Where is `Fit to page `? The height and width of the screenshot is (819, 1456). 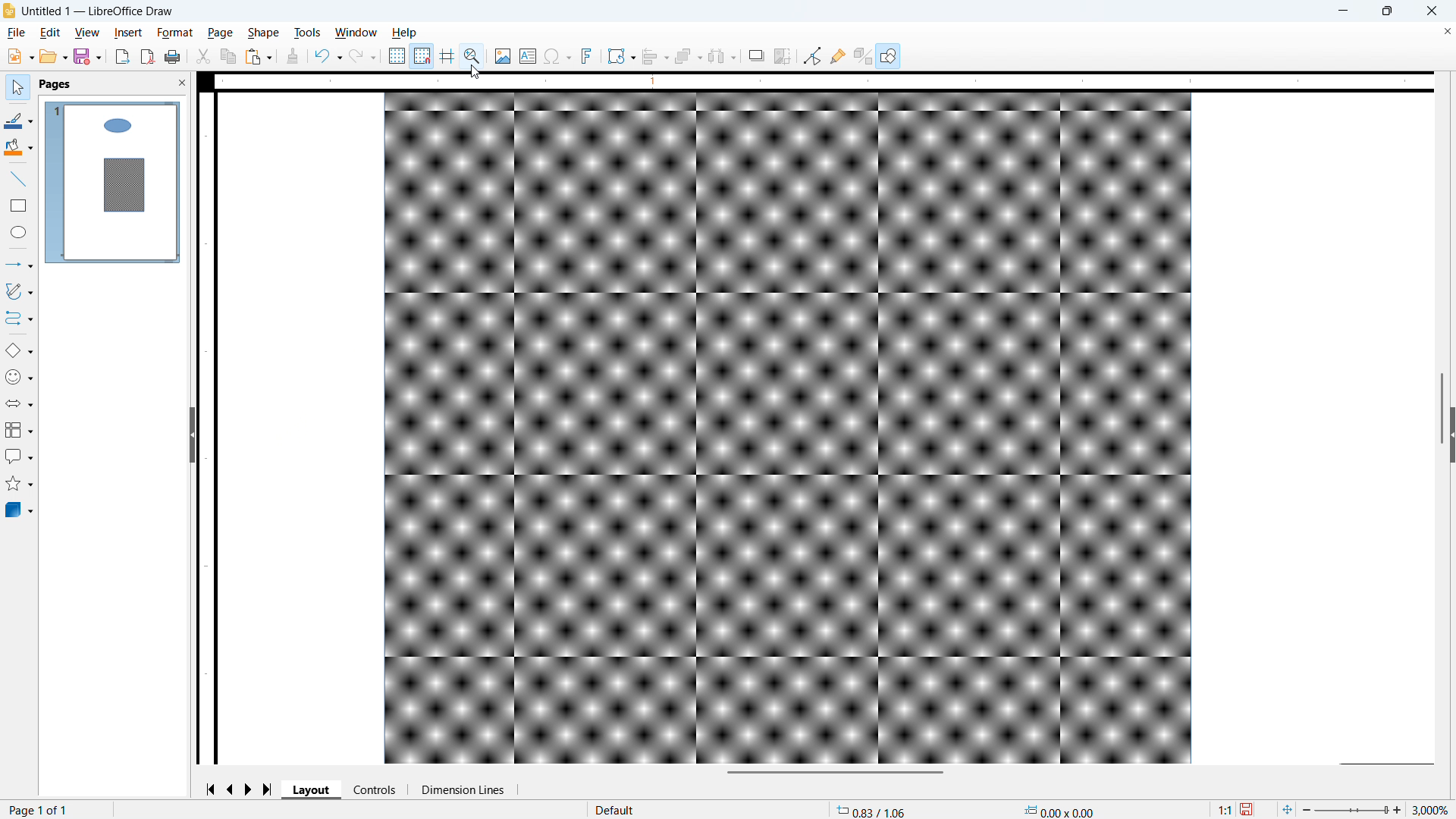 Fit to page  is located at coordinates (1288, 809).